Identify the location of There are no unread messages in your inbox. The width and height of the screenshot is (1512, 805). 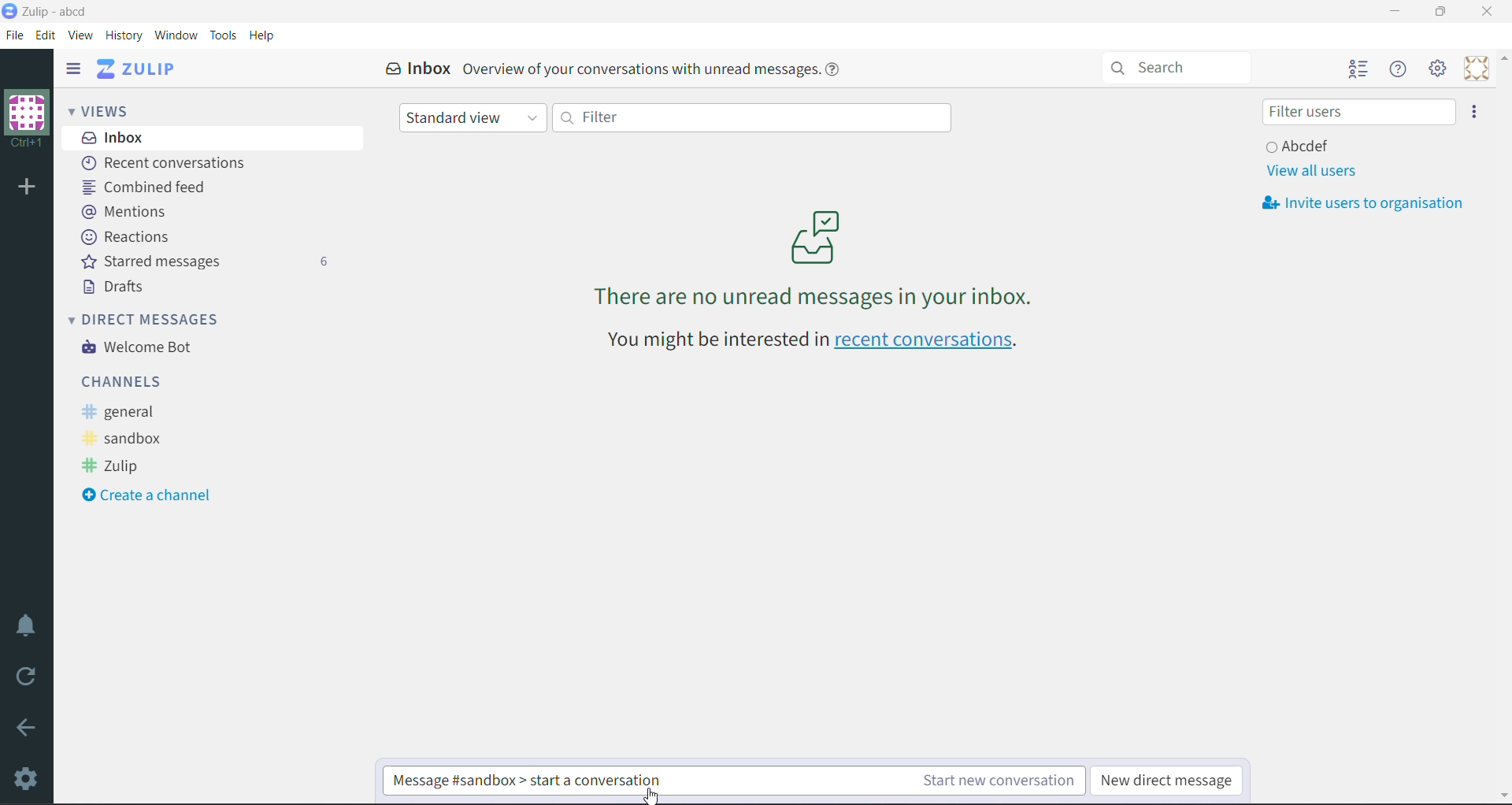
(815, 258).